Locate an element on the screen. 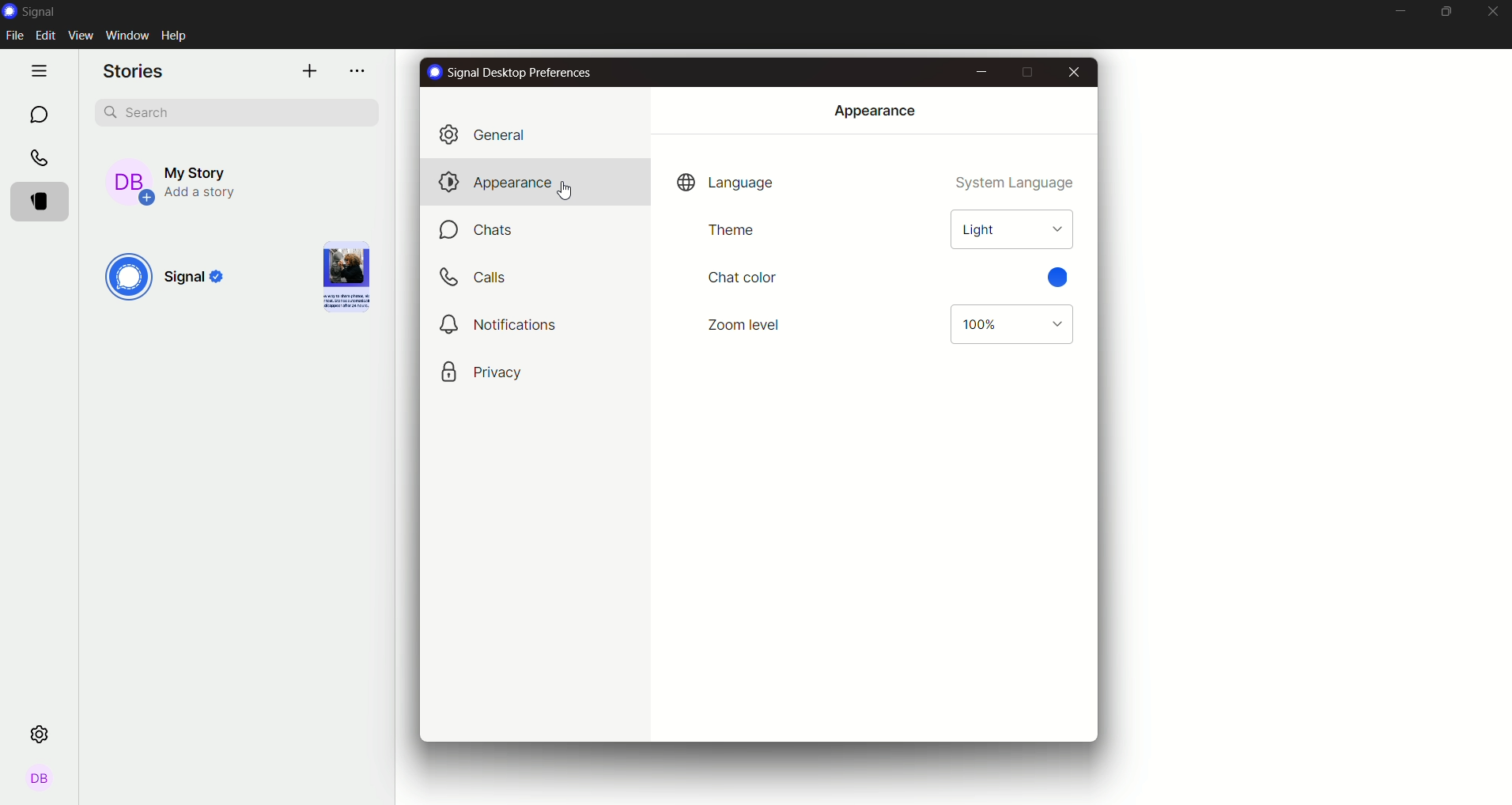  light is located at coordinates (1010, 229).